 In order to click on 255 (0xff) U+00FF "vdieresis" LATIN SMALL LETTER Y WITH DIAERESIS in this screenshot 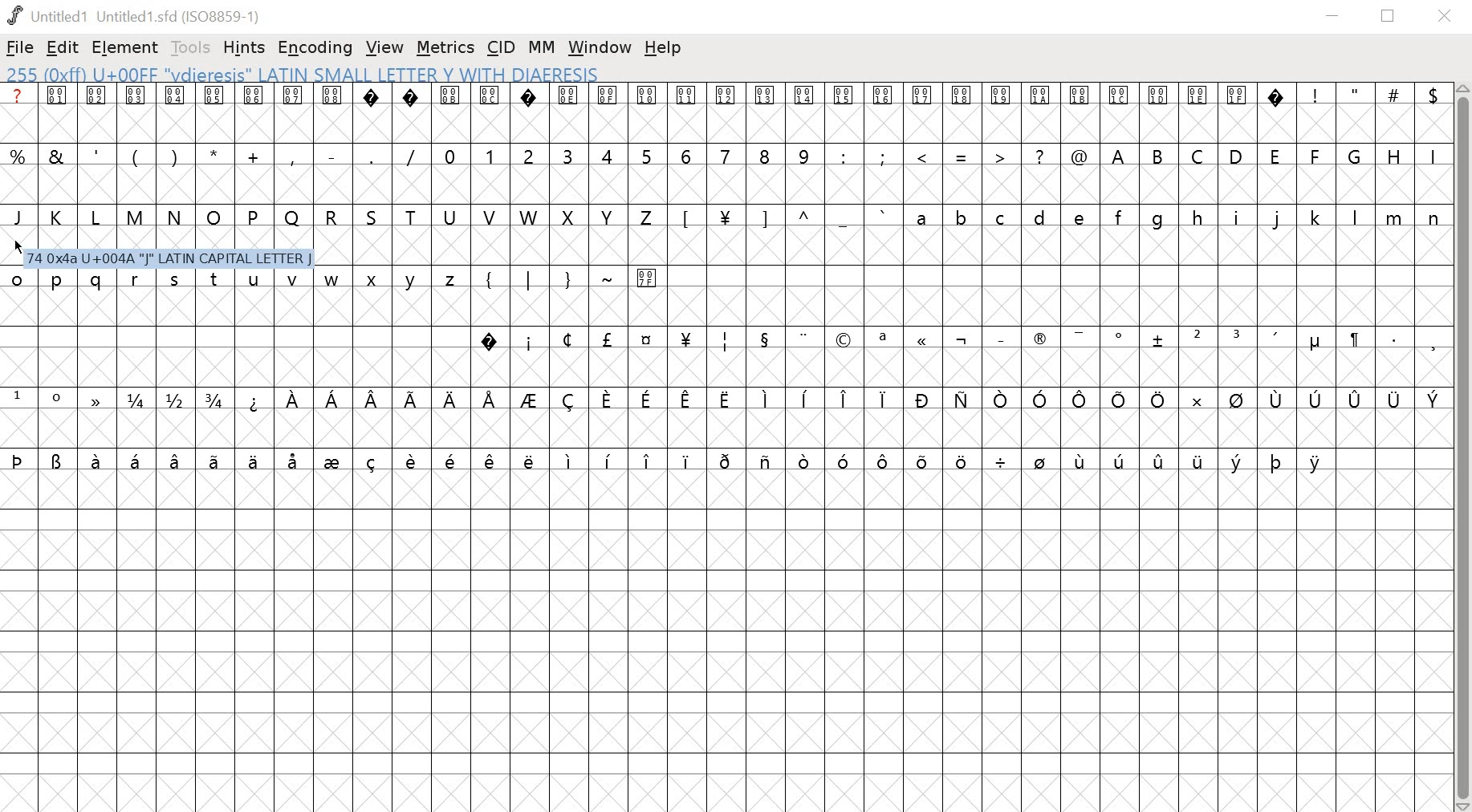, I will do `click(303, 74)`.